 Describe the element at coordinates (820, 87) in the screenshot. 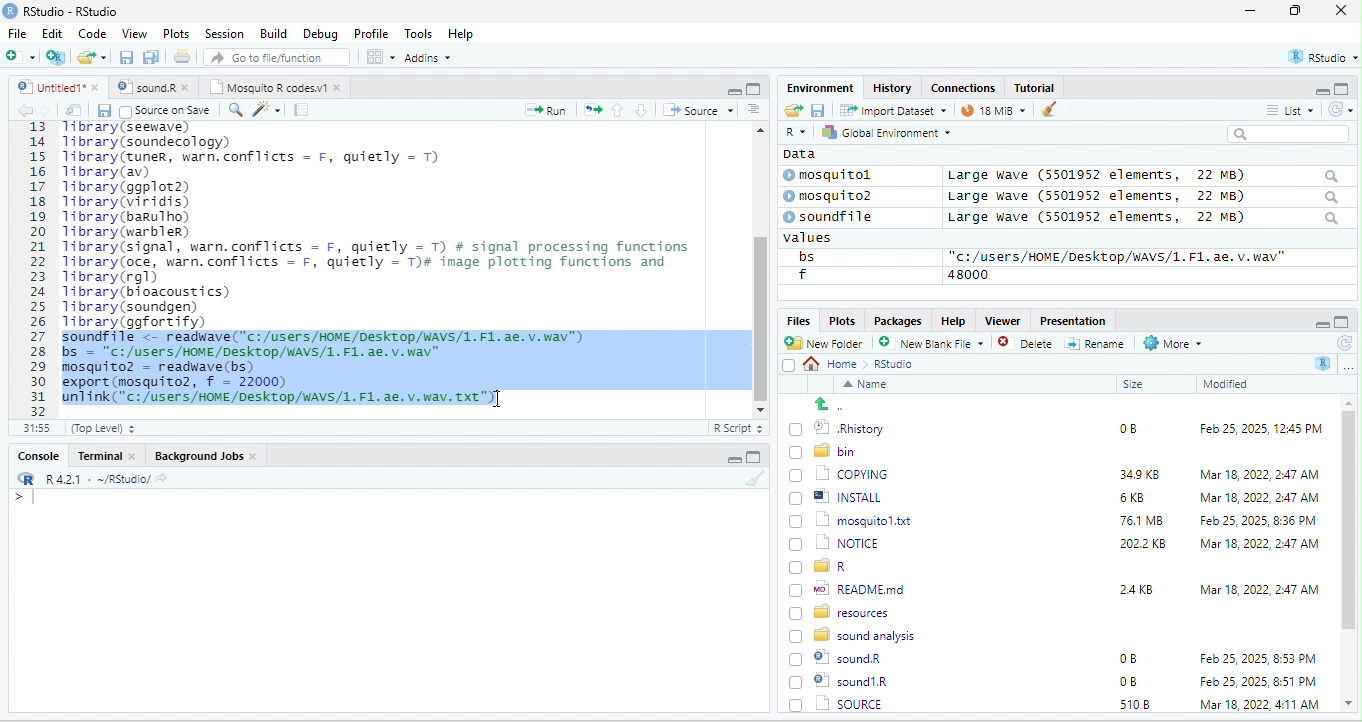

I see `Environment` at that location.